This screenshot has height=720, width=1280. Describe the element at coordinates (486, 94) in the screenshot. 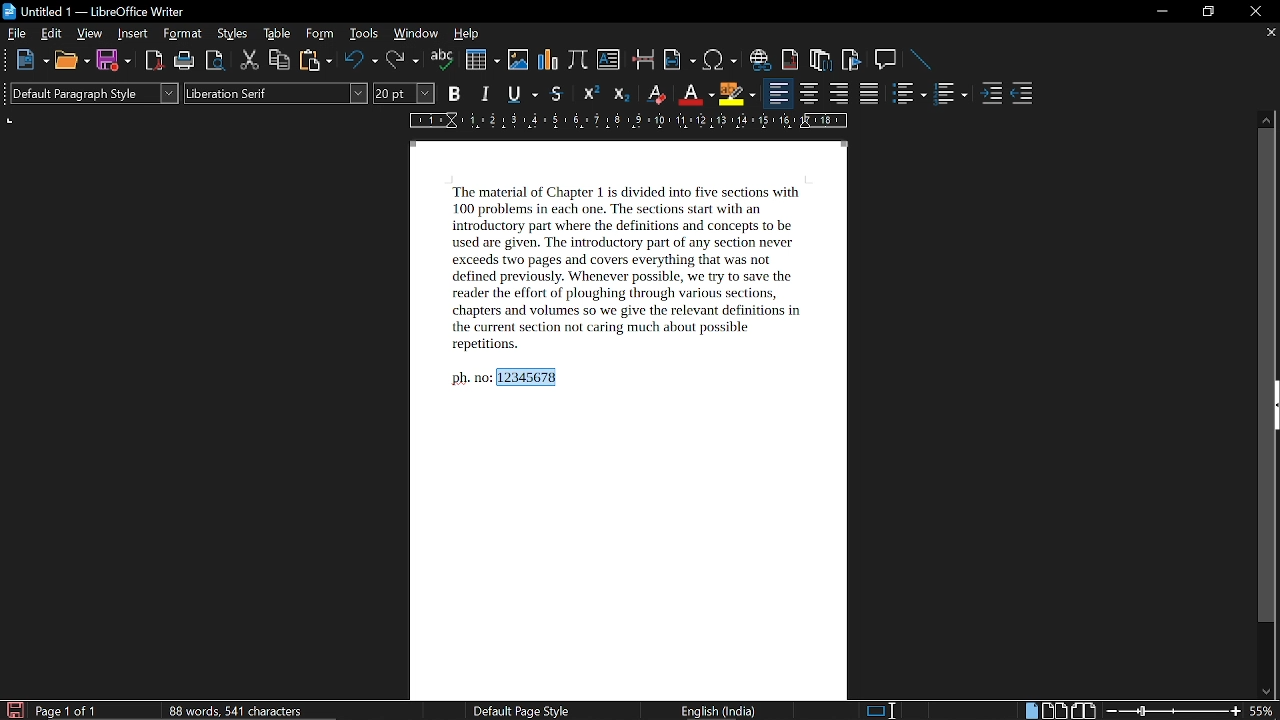

I see `italic` at that location.